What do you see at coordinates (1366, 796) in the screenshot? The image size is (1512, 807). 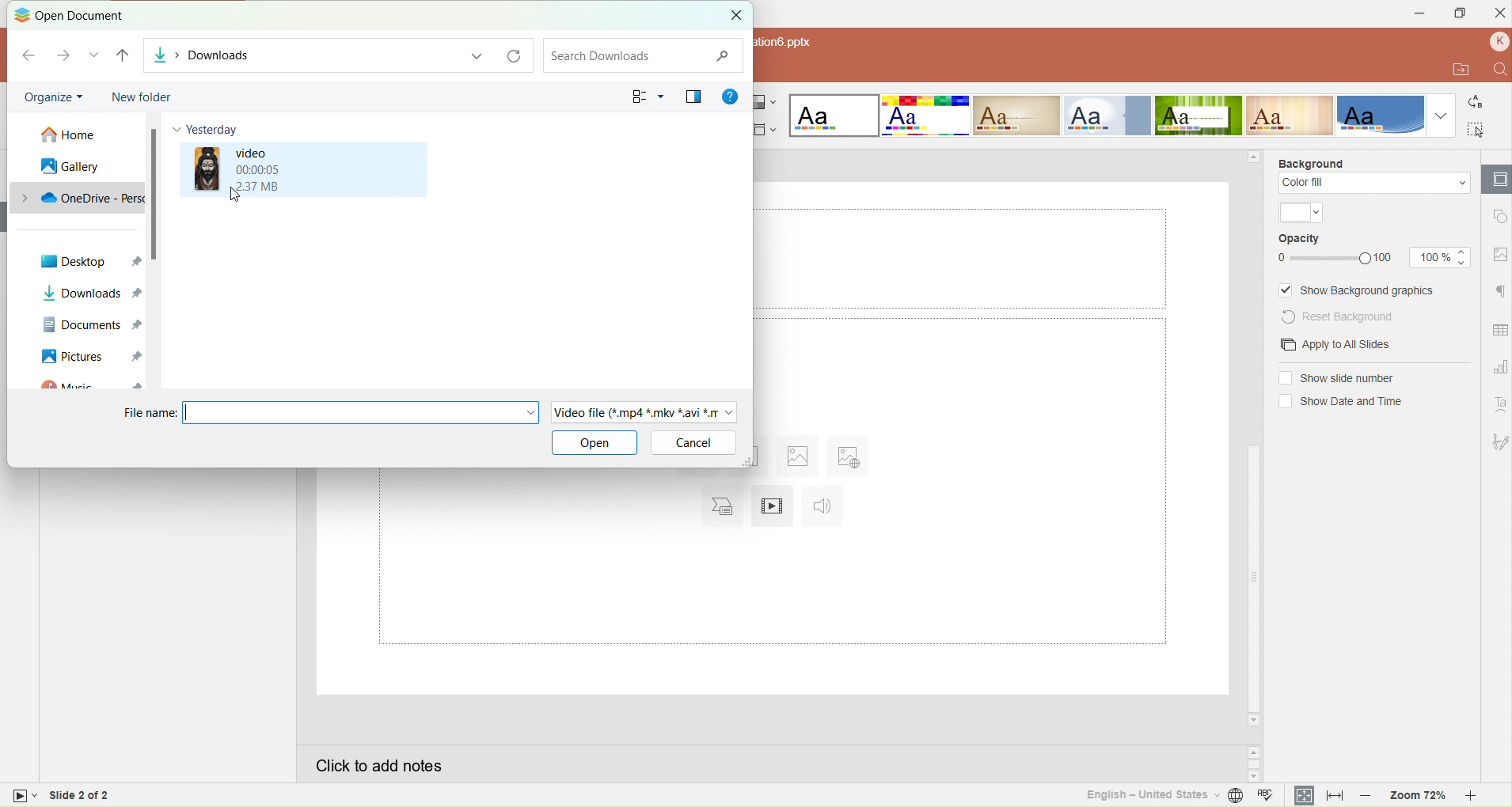 I see `Zoom out` at bounding box center [1366, 796].